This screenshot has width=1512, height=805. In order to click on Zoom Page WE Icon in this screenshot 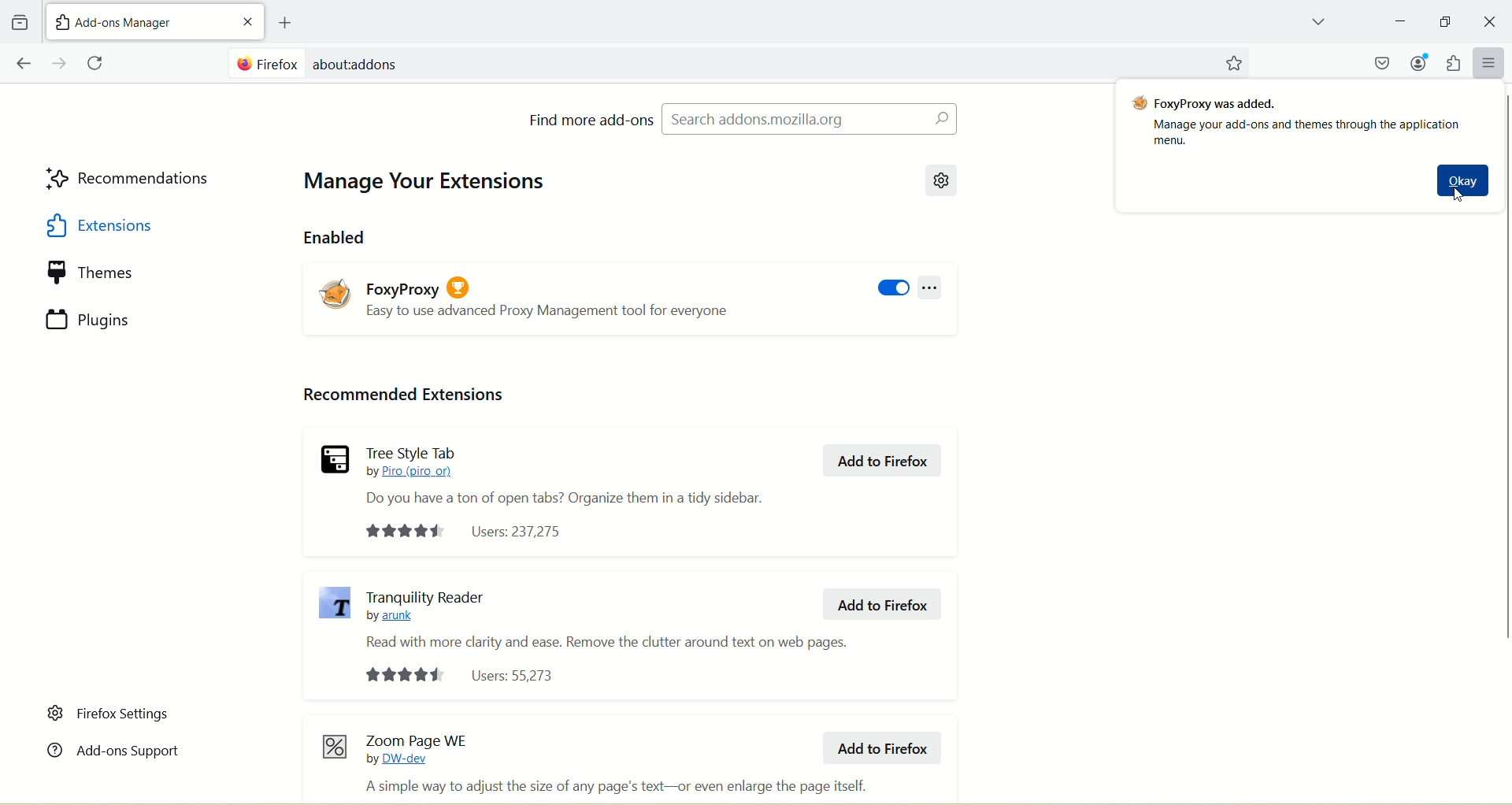, I will do `click(334, 746)`.